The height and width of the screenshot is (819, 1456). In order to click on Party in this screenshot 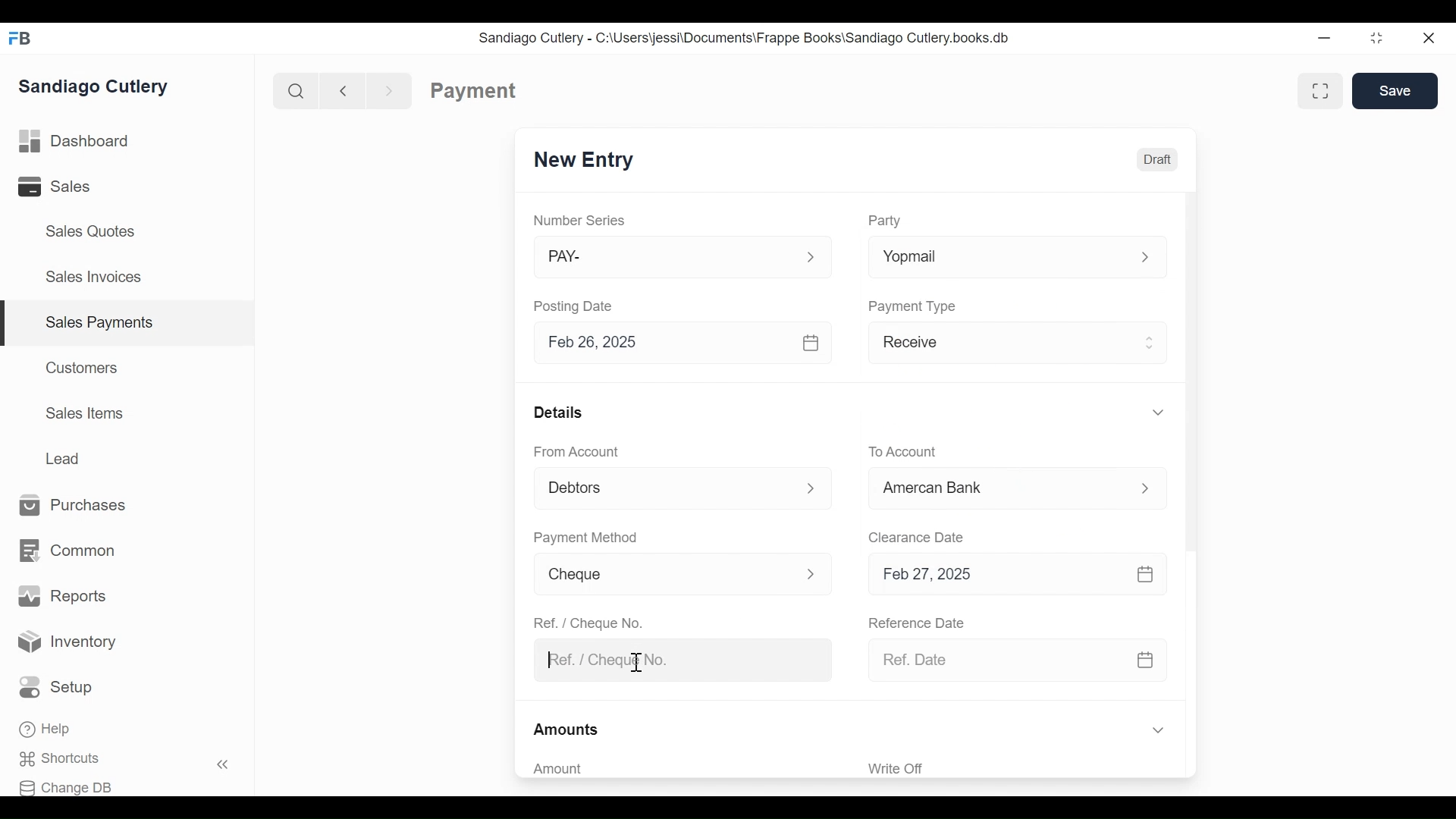, I will do `click(884, 221)`.